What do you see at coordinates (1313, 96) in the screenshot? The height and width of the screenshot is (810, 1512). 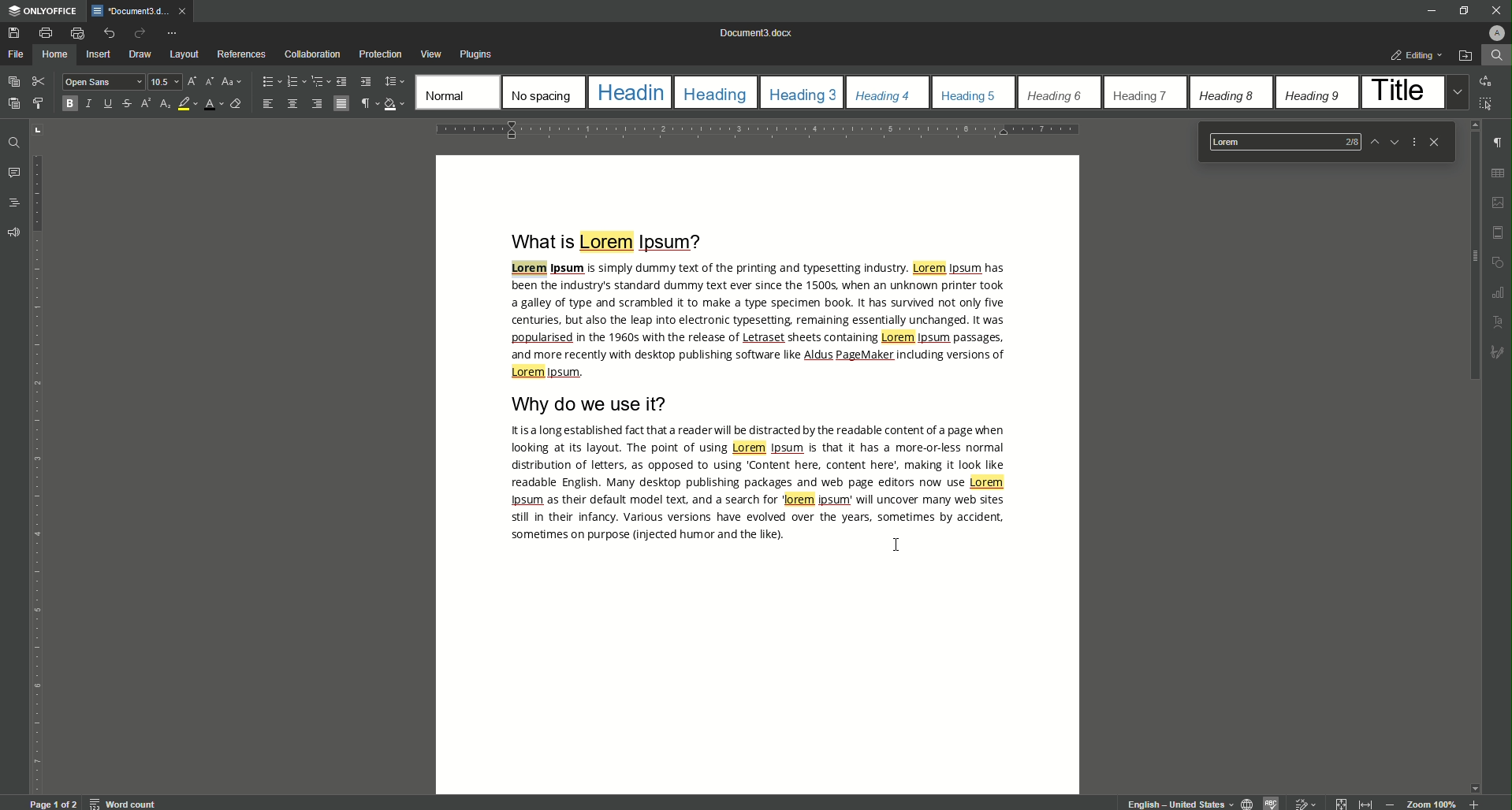 I see `Heading 9` at bounding box center [1313, 96].